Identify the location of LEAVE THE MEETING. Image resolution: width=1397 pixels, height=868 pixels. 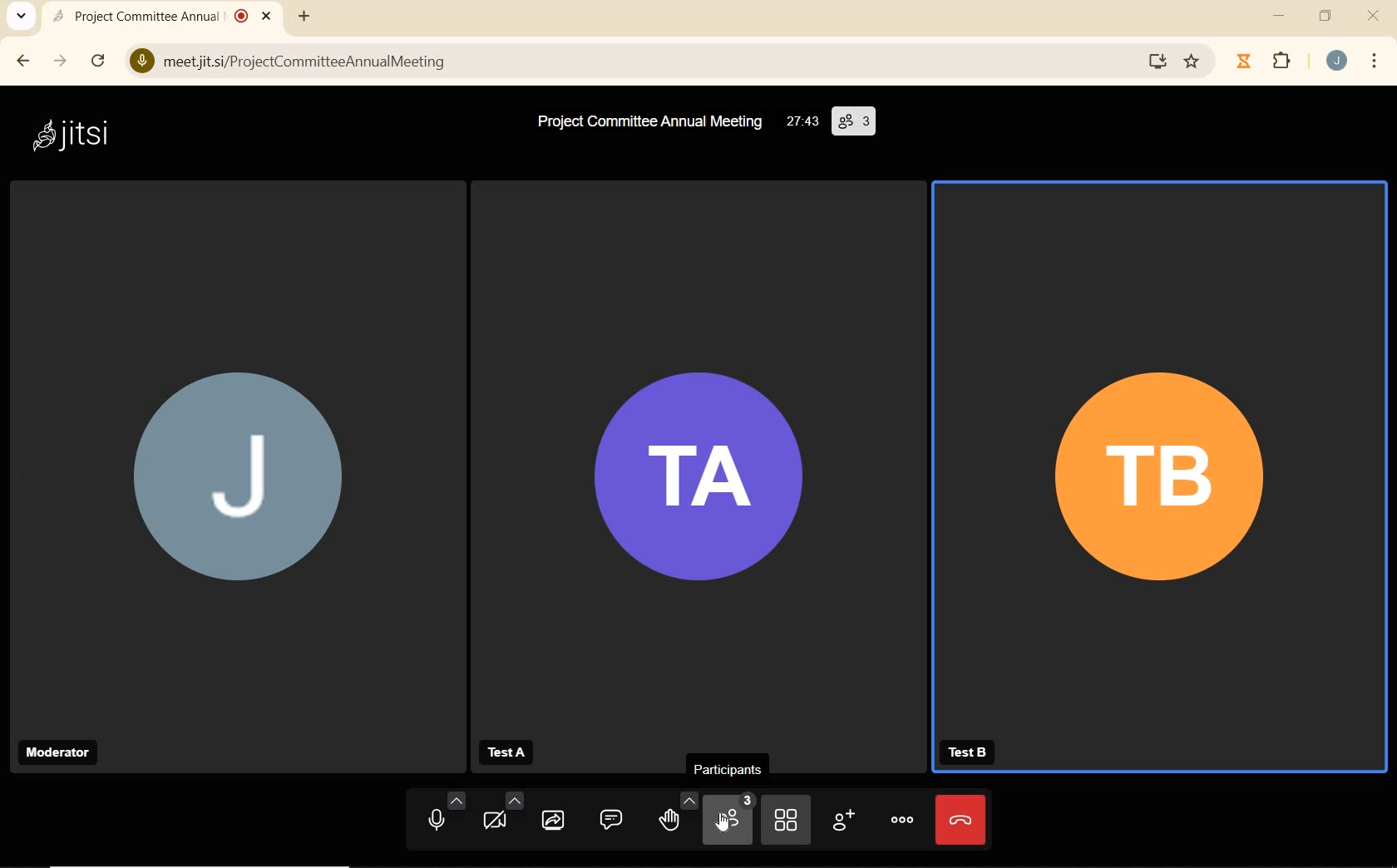
(960, 819).